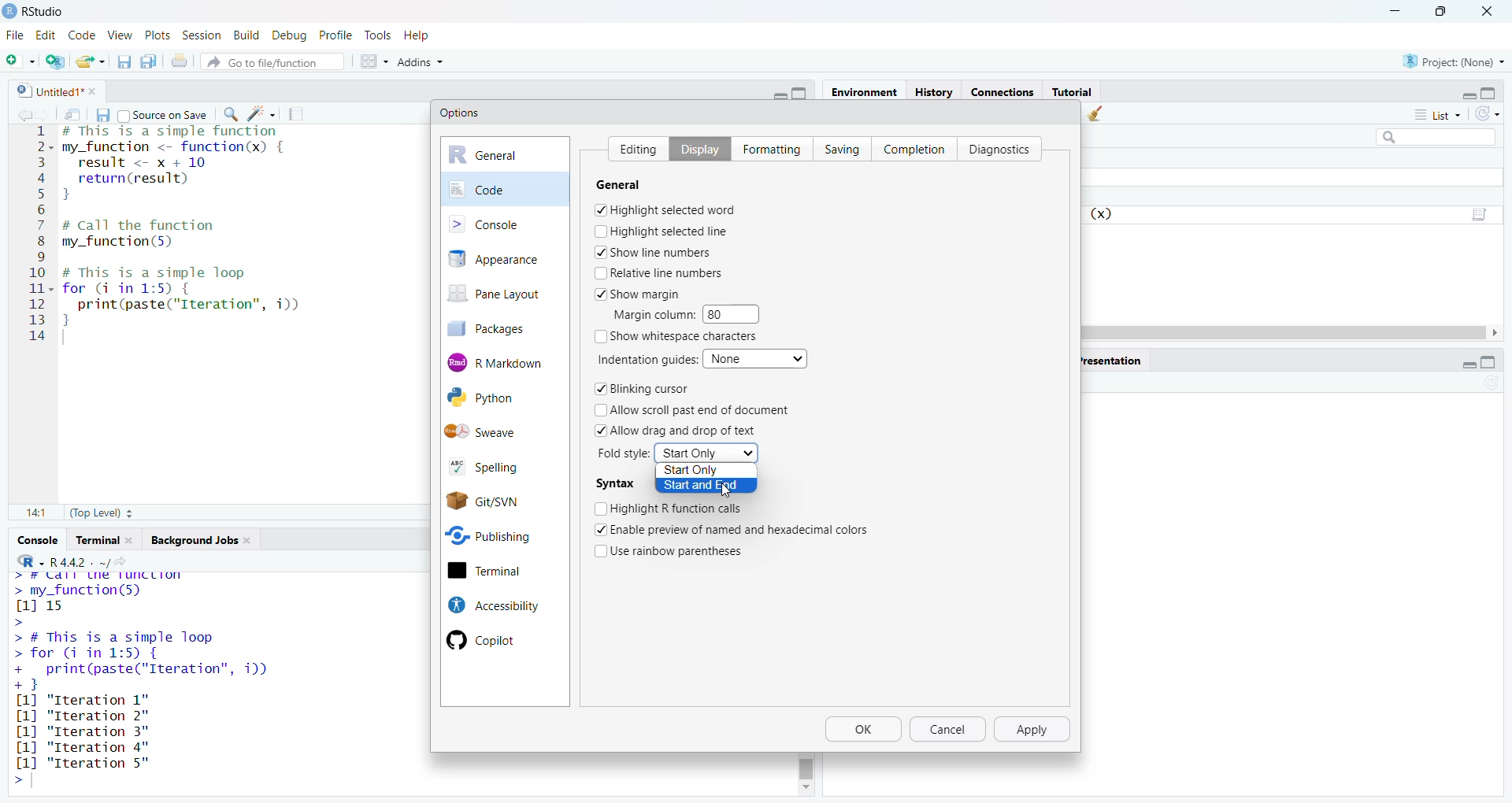 The image size is (1512, 803). What do you see at coordinates (96, 540) in the screenshot?
I see `terminal` at bounding box center [96, 540].